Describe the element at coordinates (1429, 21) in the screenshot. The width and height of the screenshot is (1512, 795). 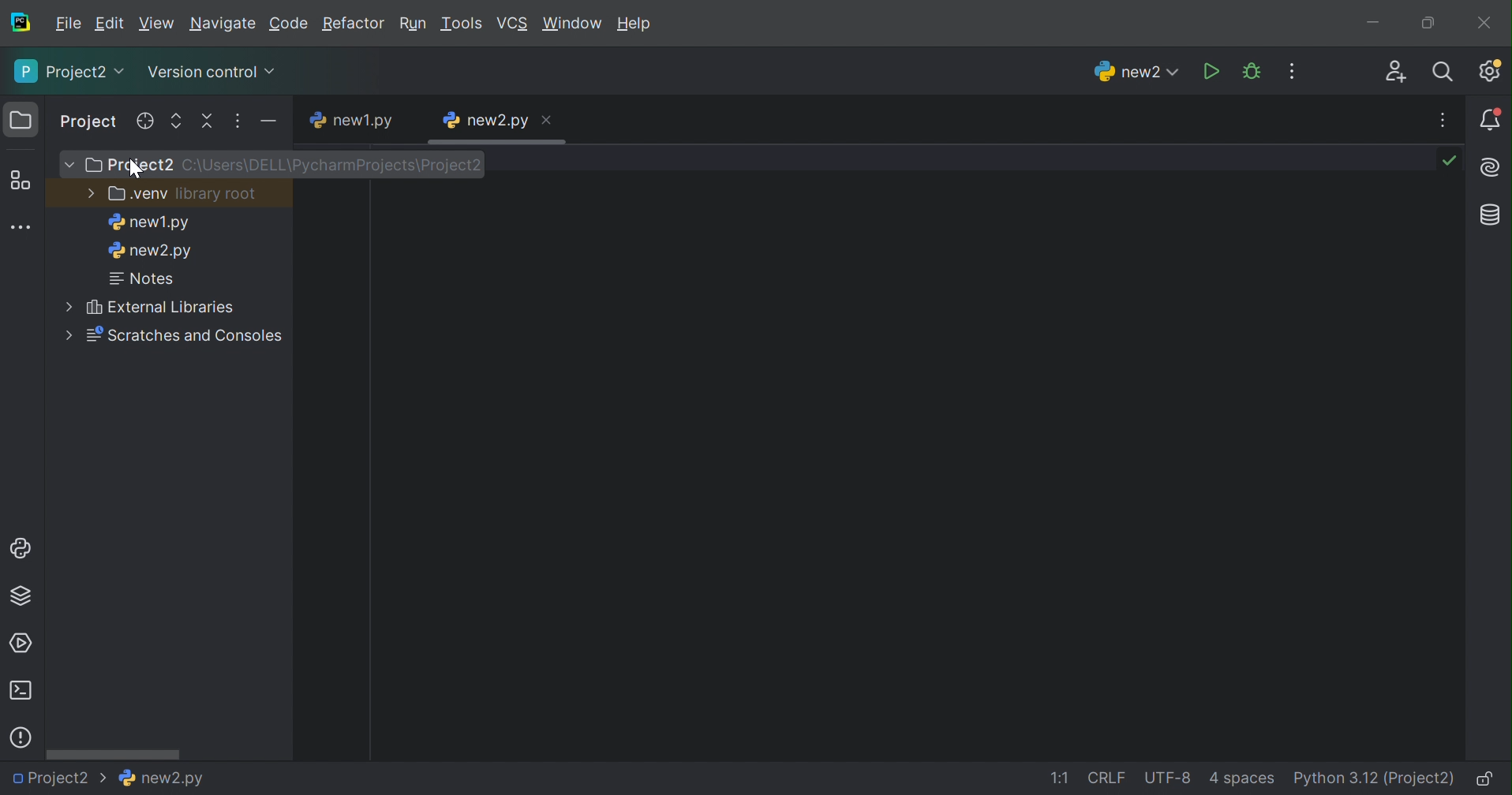
I see `Restore down` at that location.